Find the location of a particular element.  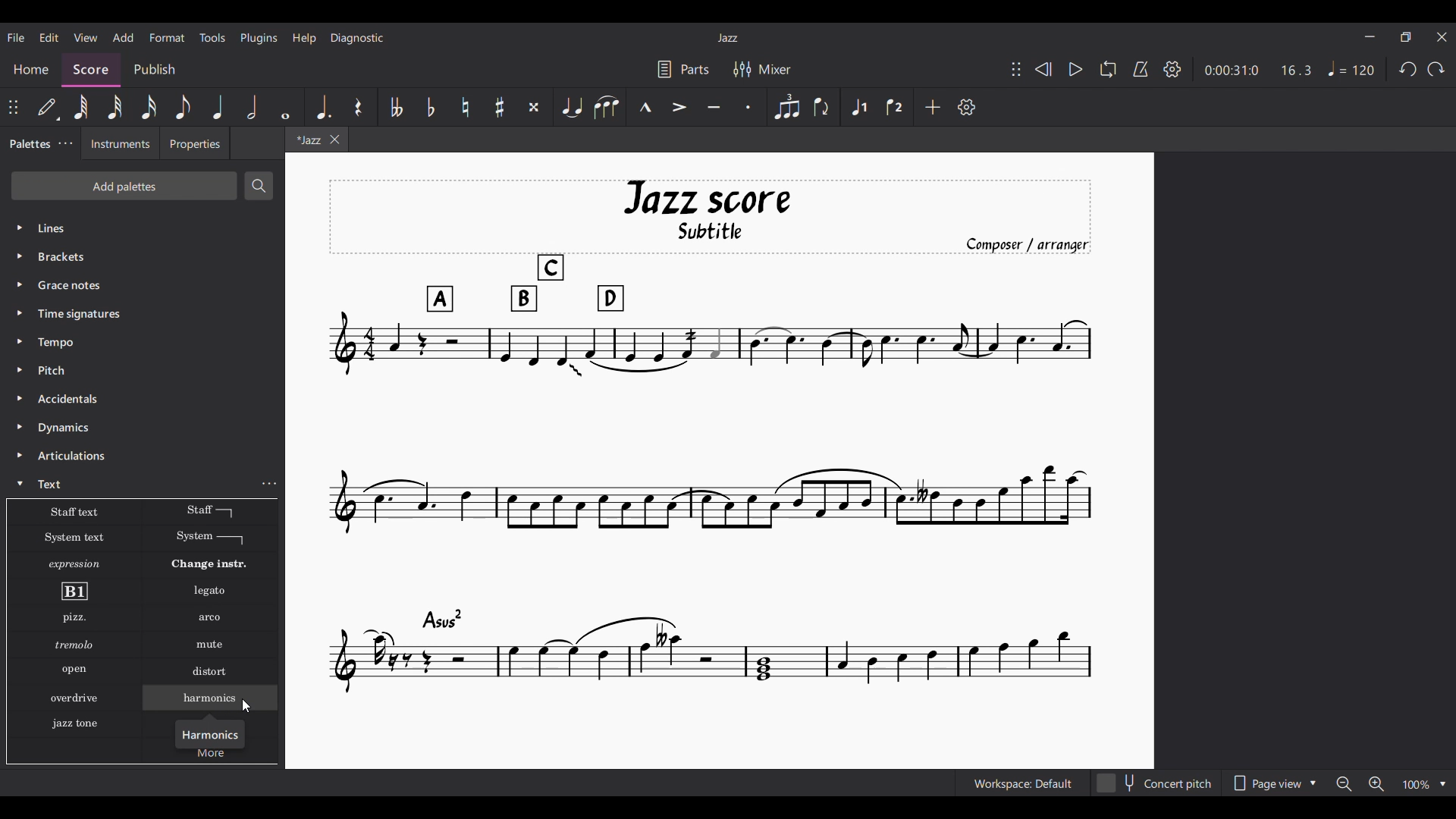

Tuplet is located at coordinates (786, 107).